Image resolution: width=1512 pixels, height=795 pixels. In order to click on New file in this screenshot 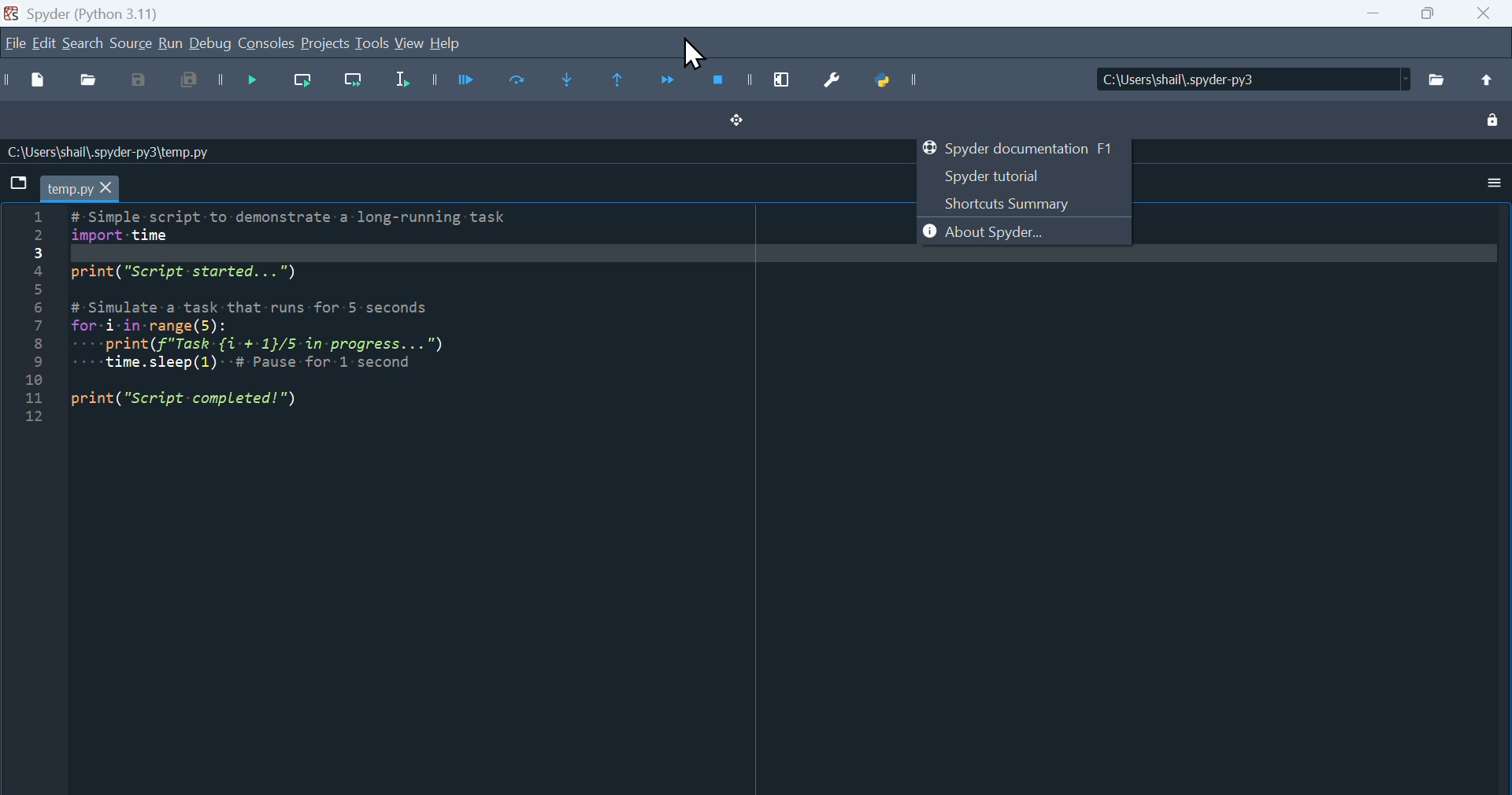, I will do `click(29, 83)`.